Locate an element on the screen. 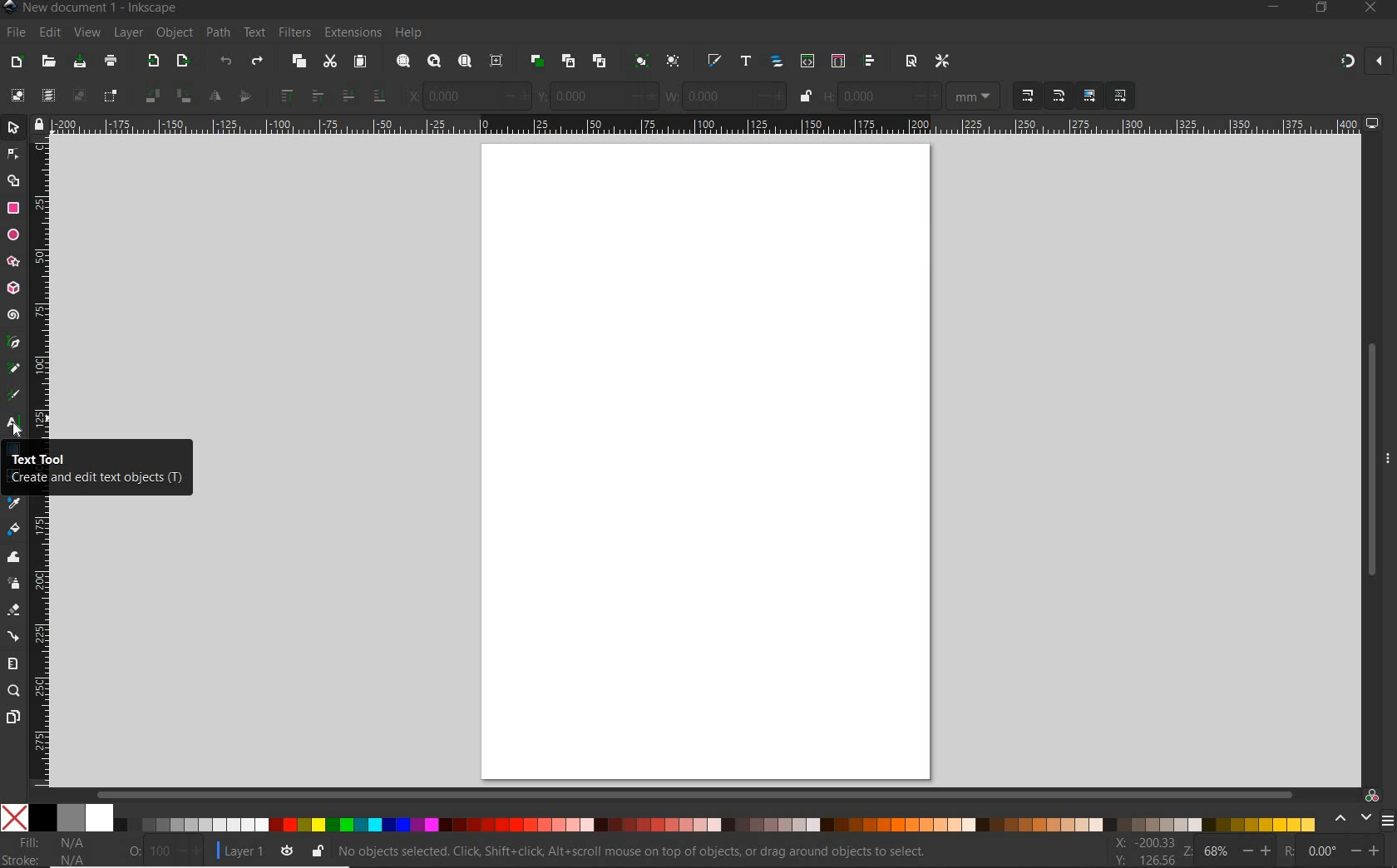 The image size is (1397, 868). open export is located at coordinates (182, 62).